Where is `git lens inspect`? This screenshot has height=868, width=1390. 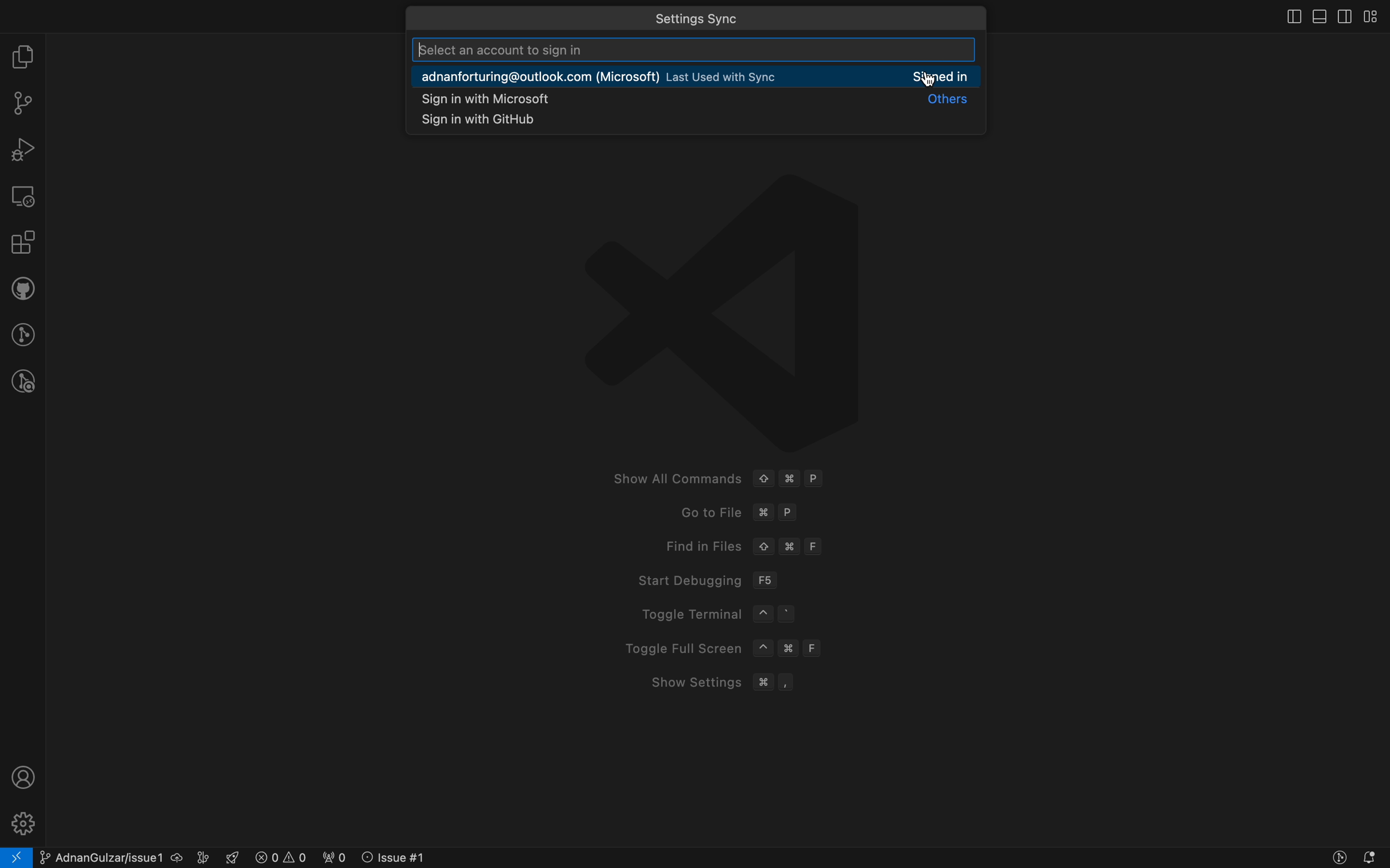 git lens inspect is located at coordinates (20, 382).